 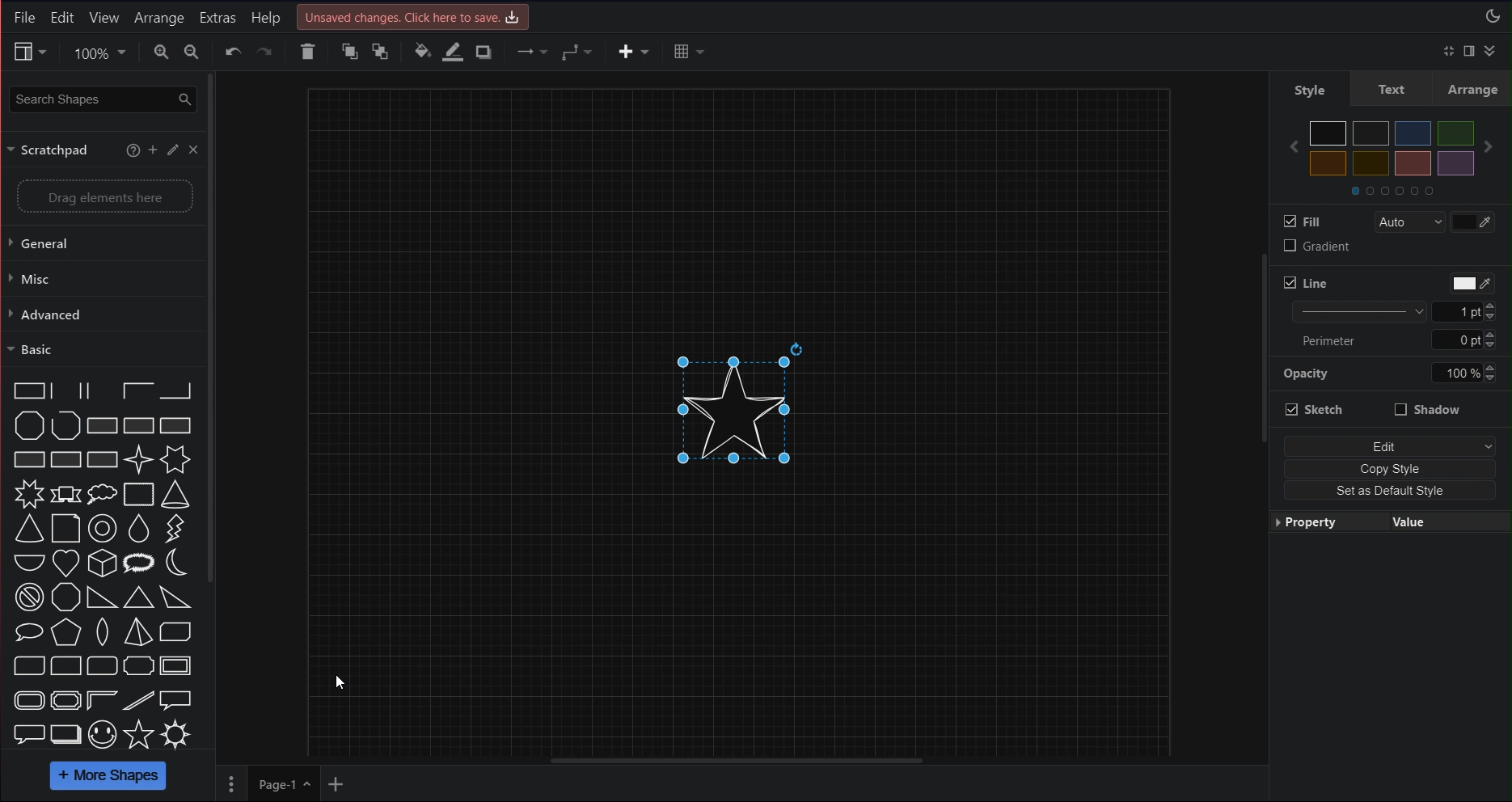 I want to click on flash, so click(x=173, y=530).